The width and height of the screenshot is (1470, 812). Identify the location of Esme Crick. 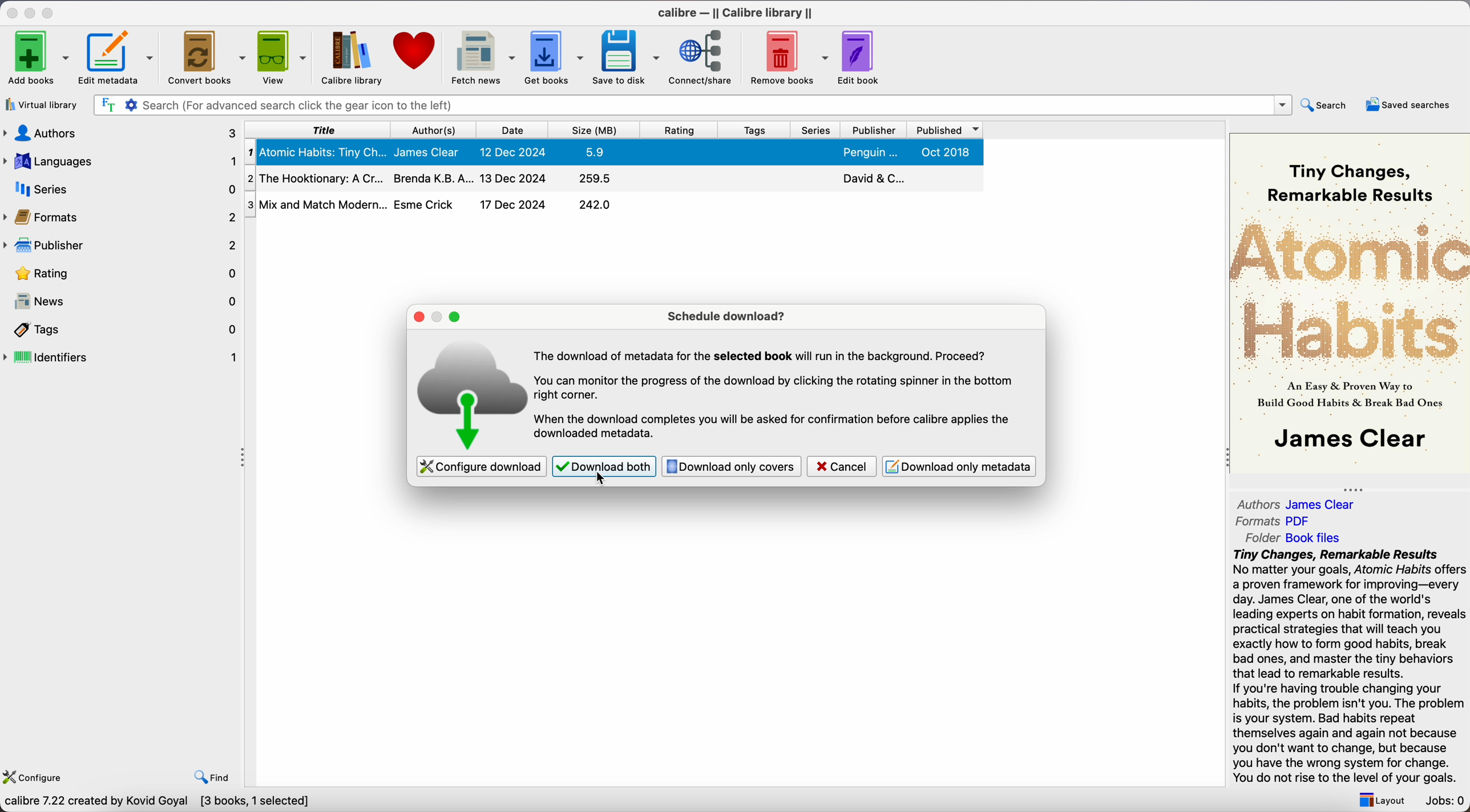
(426, 204).